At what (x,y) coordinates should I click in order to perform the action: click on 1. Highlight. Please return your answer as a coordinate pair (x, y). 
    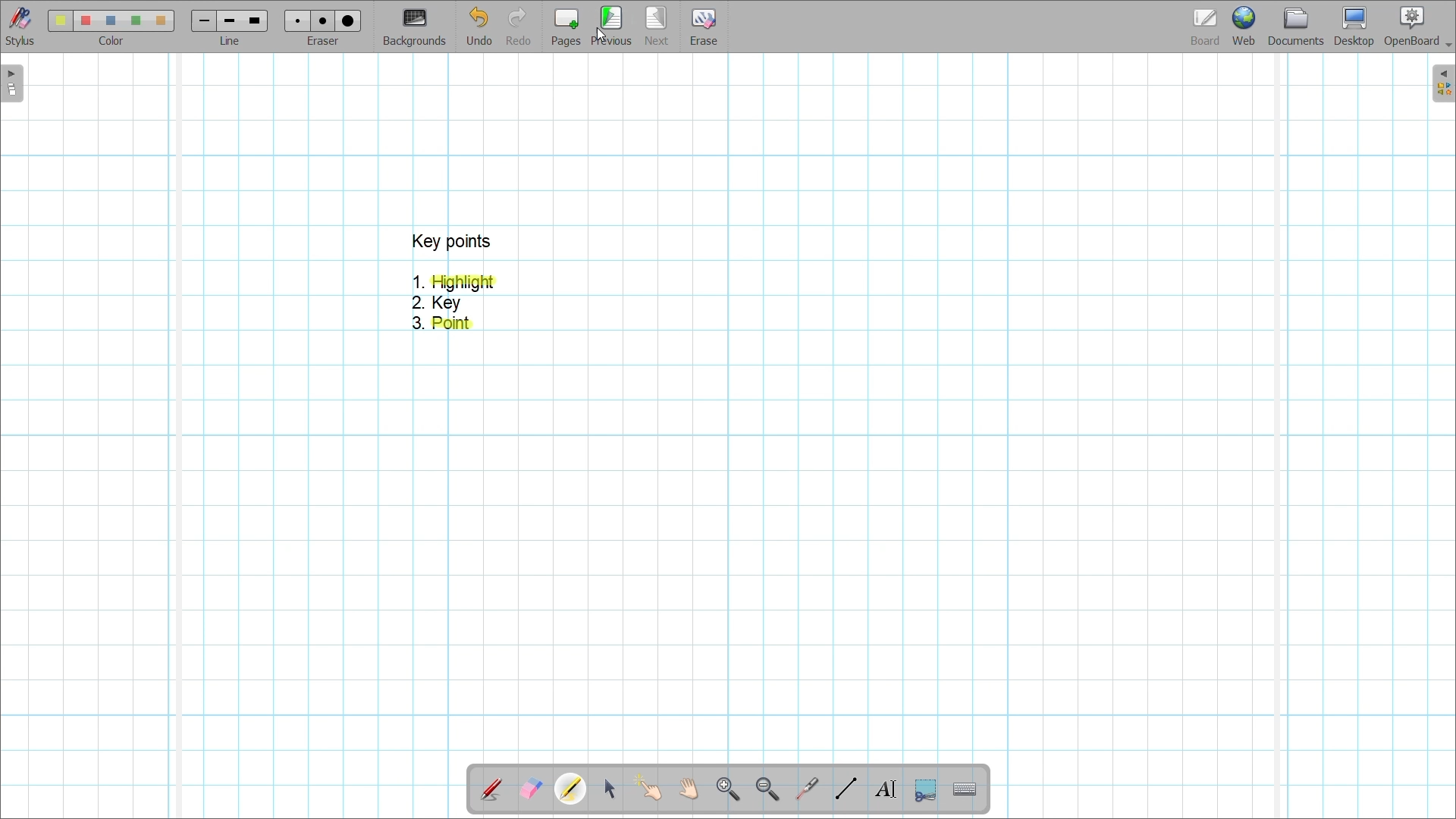
    Looking at the image, I should click on (457, 283).